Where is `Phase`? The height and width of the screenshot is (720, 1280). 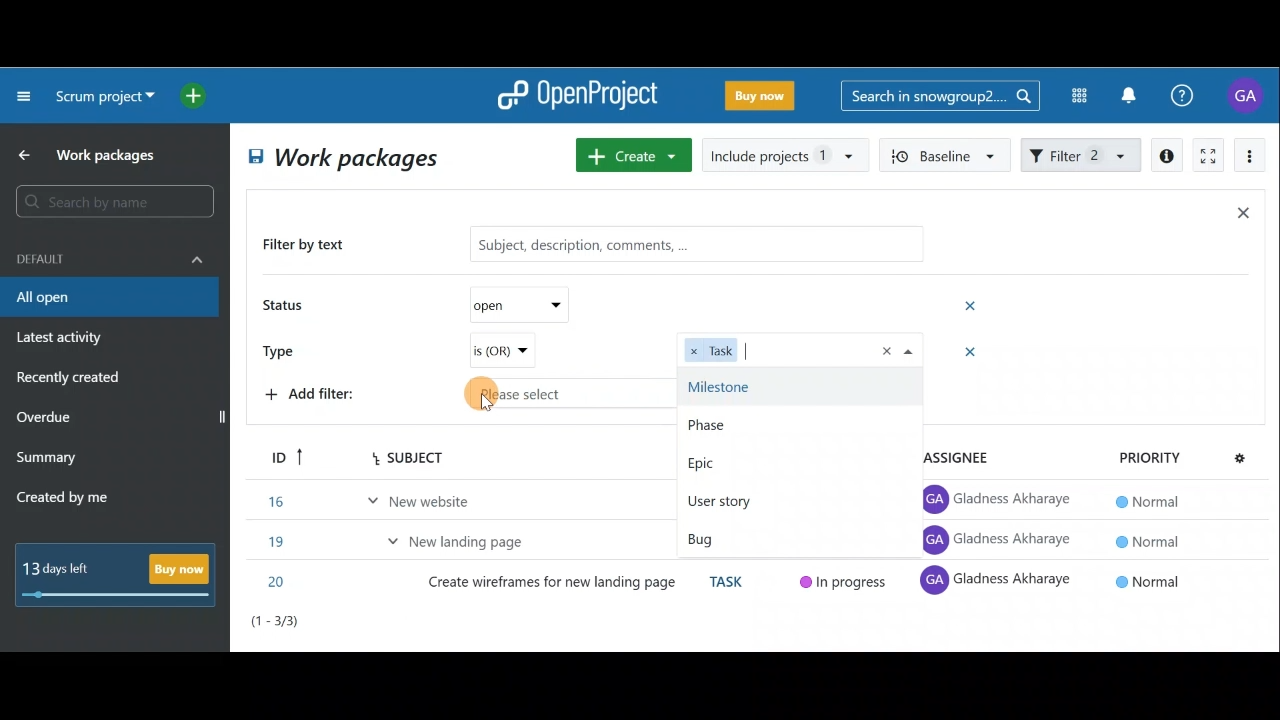 Phase is located at coordinates (797, 461).